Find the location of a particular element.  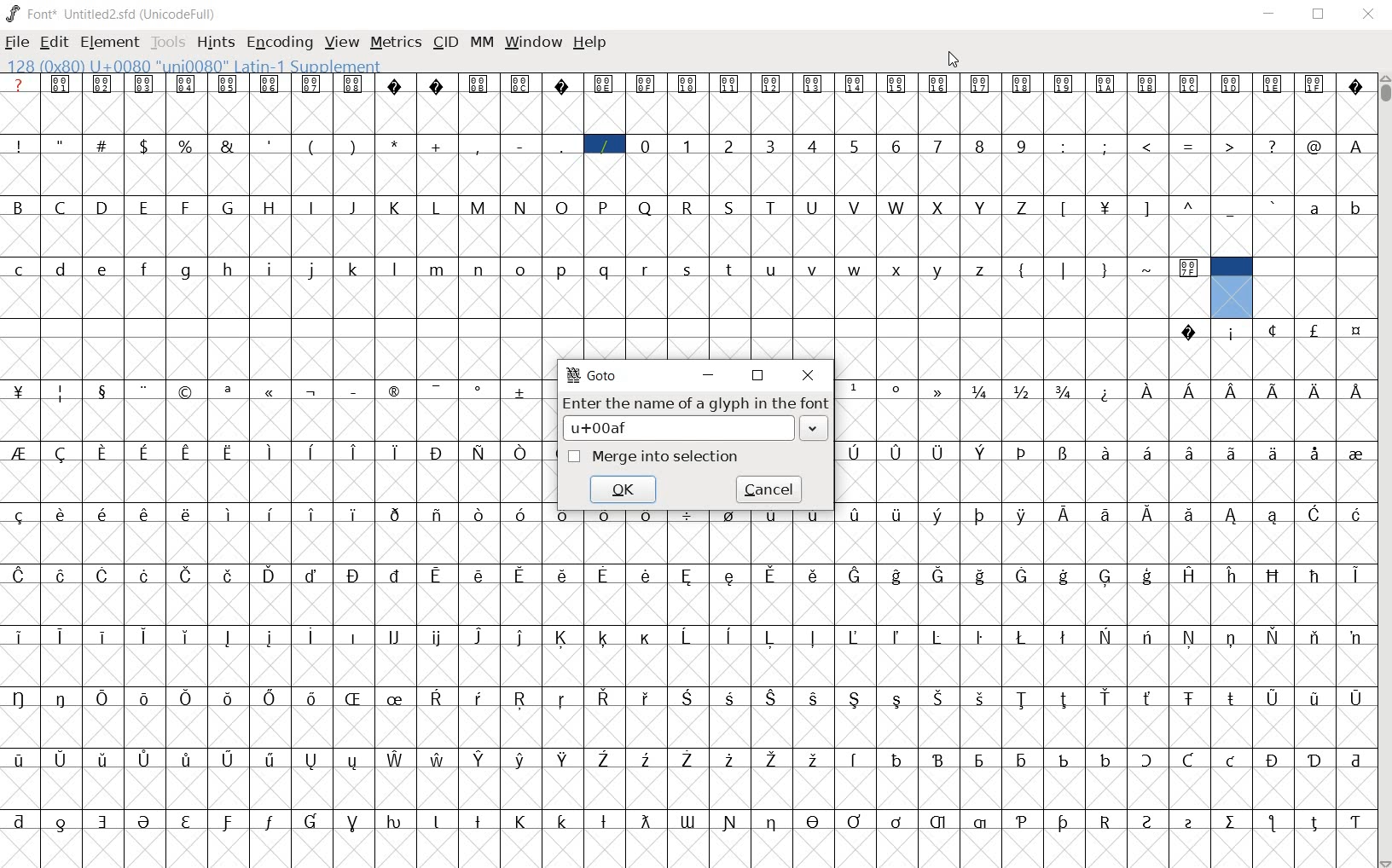

? is located at coordinates (20, 85).